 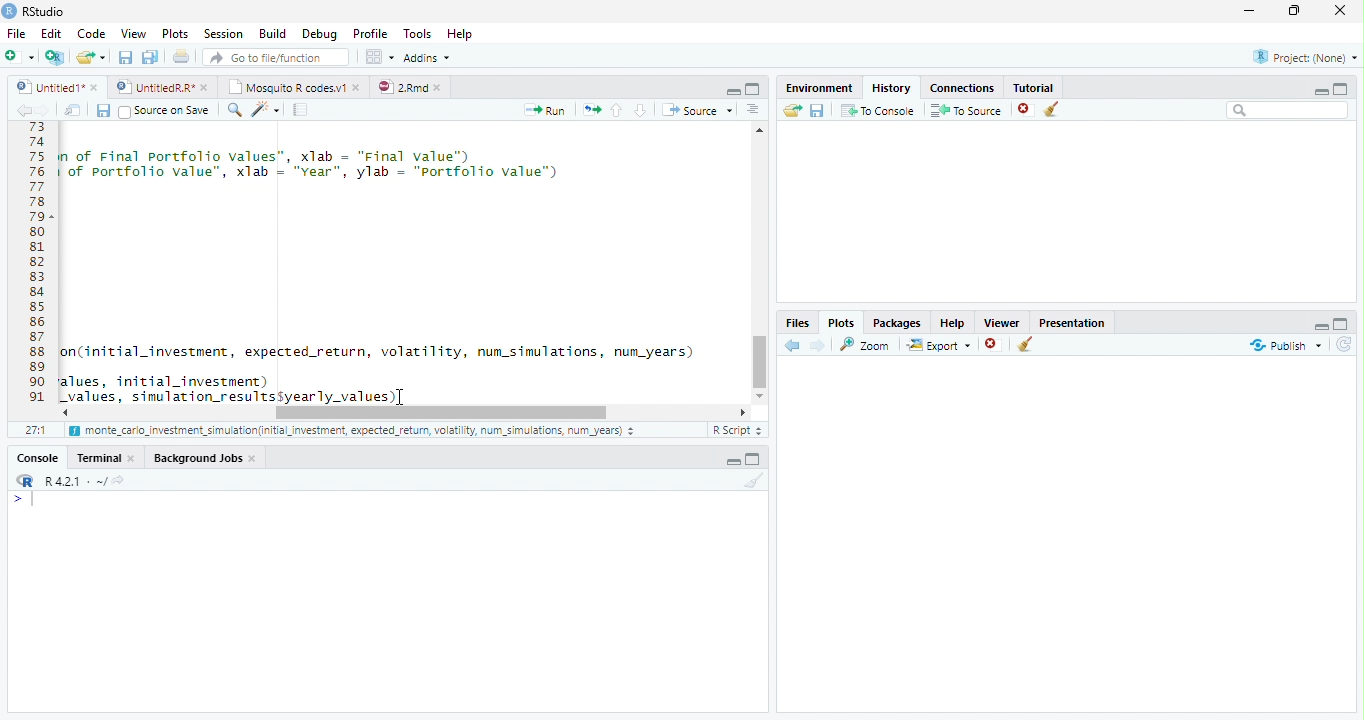 I want to click on Close, so click(x=1342, y=12).